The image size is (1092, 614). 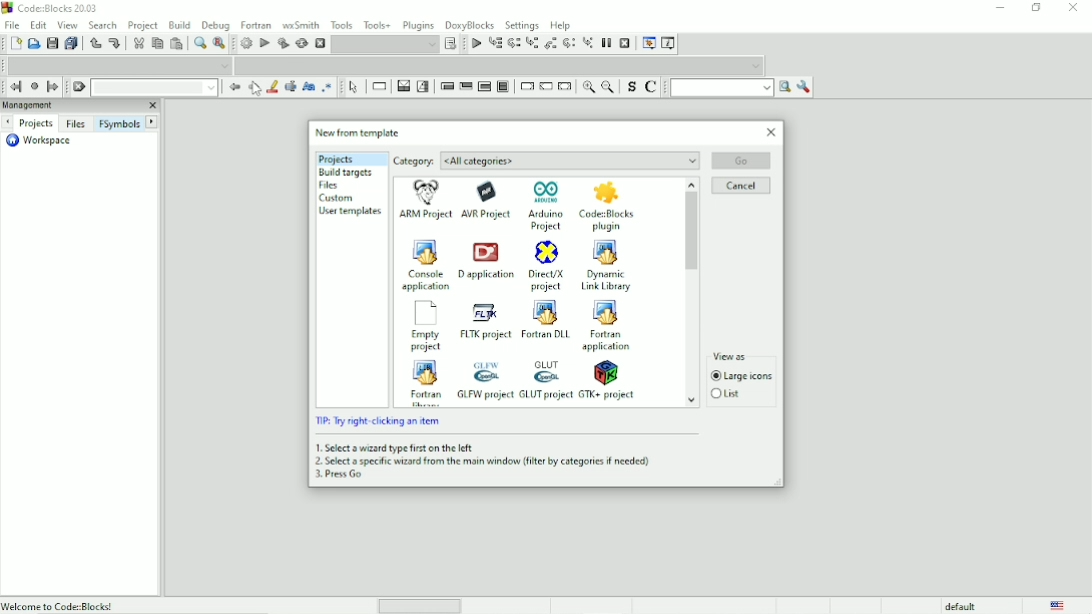 I want to click on Selected text, so click(x=290, y=87).